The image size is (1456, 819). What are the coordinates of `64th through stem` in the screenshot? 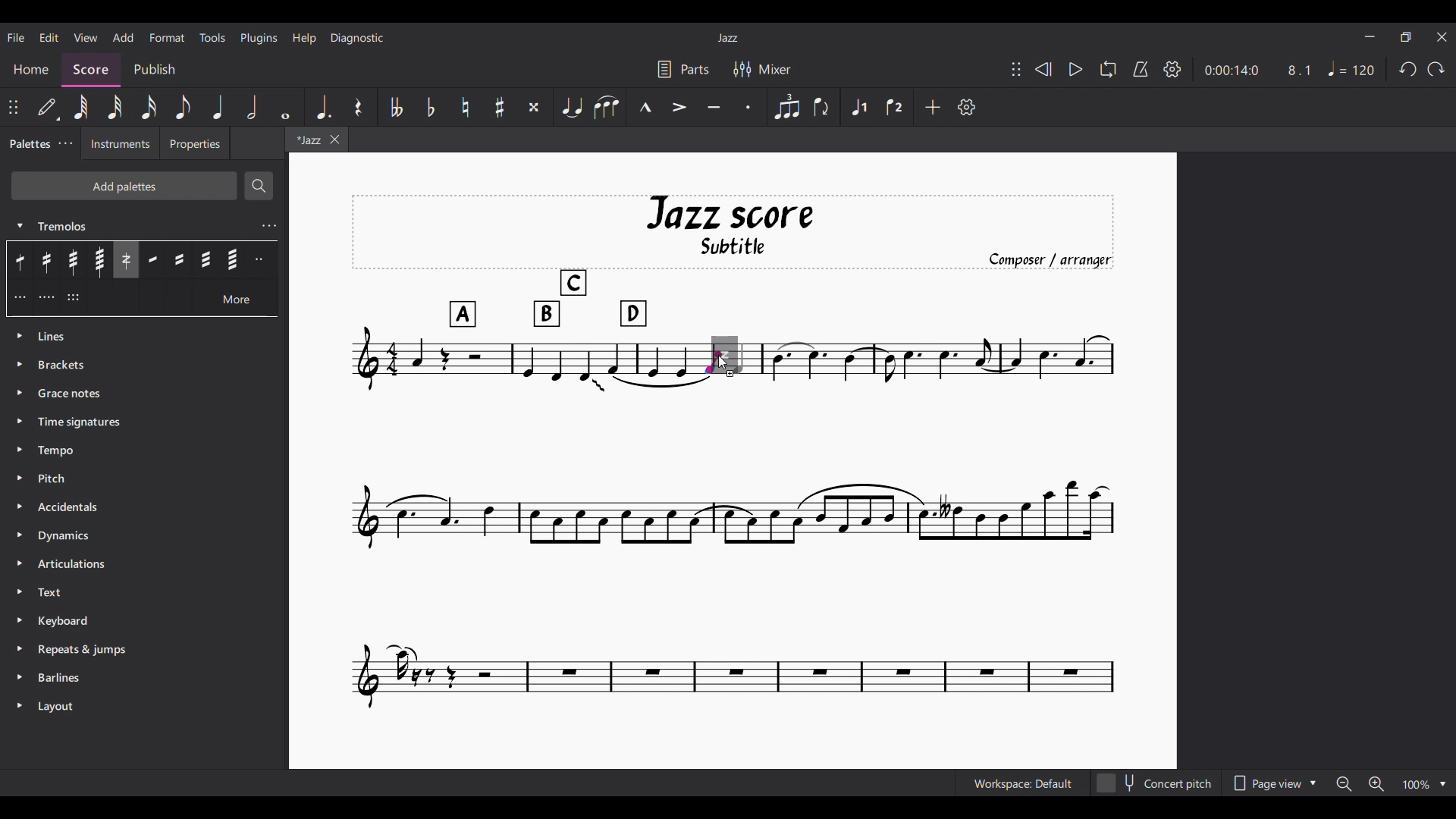 It's located at (99, 260).